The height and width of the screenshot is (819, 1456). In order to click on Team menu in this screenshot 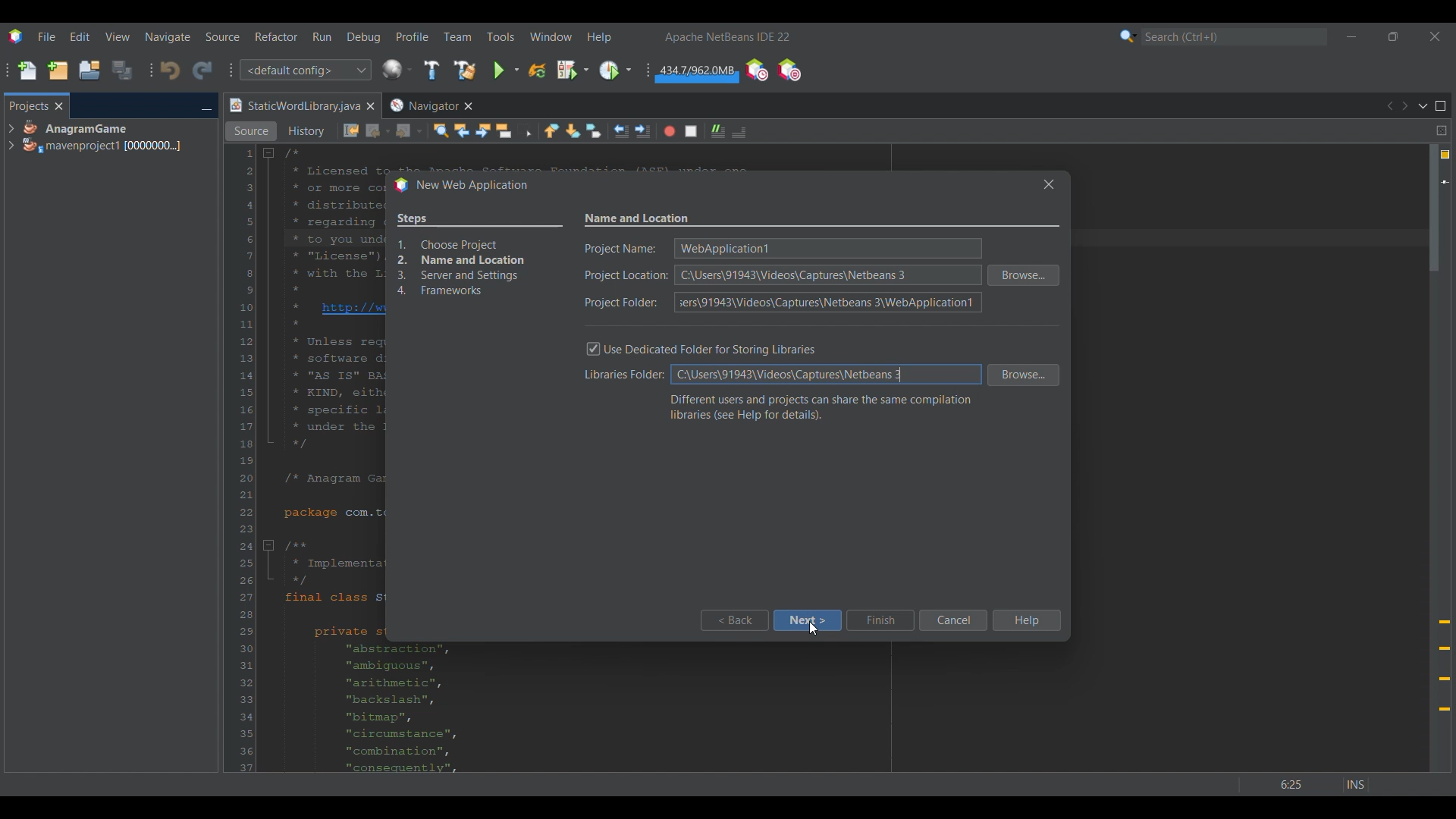, I will do `click(457, 36)`.